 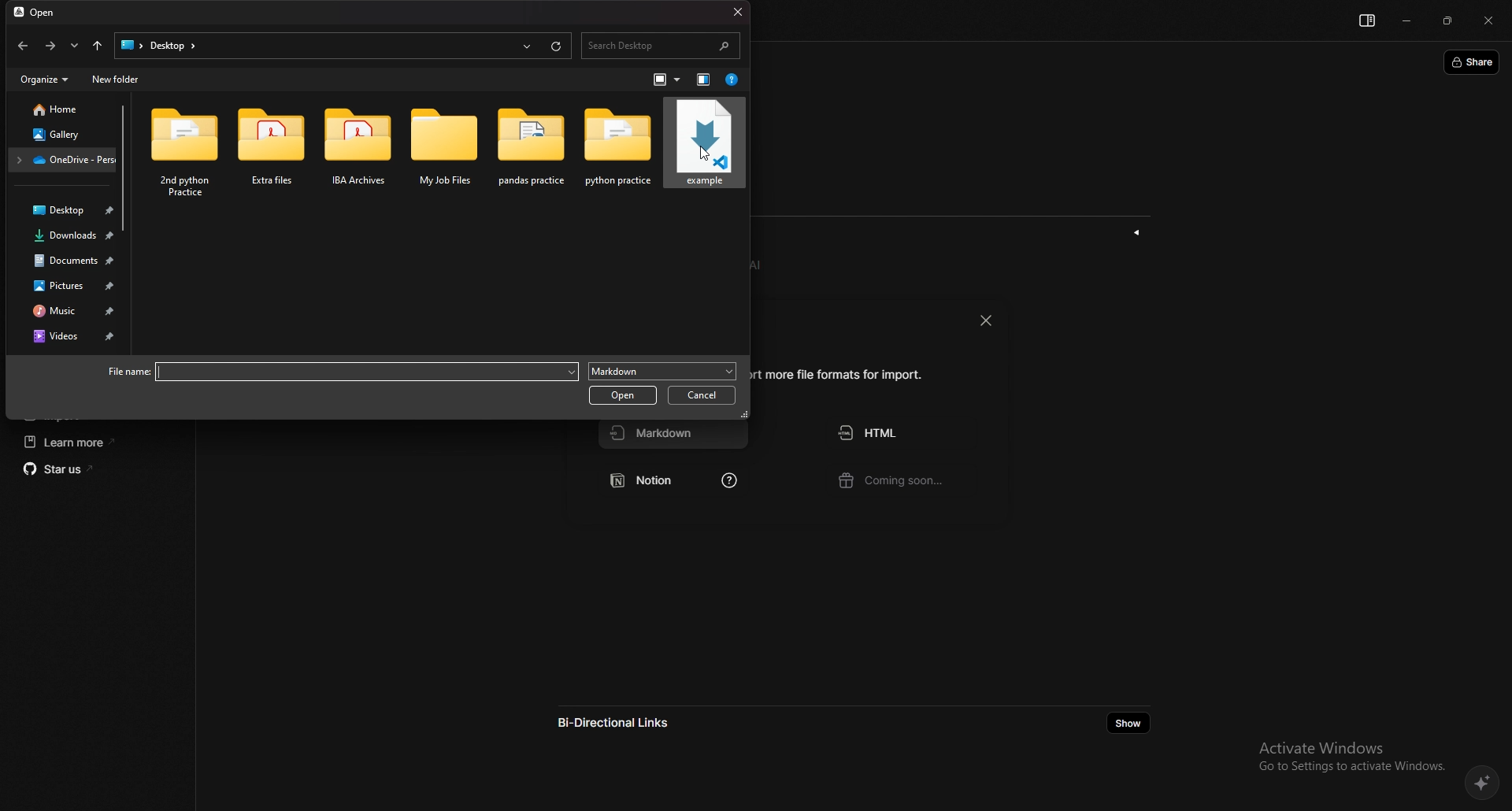 What do you see at coordinates (675, 437) in the screenshot?
I see `markdown` at bounding box center [675, 437].